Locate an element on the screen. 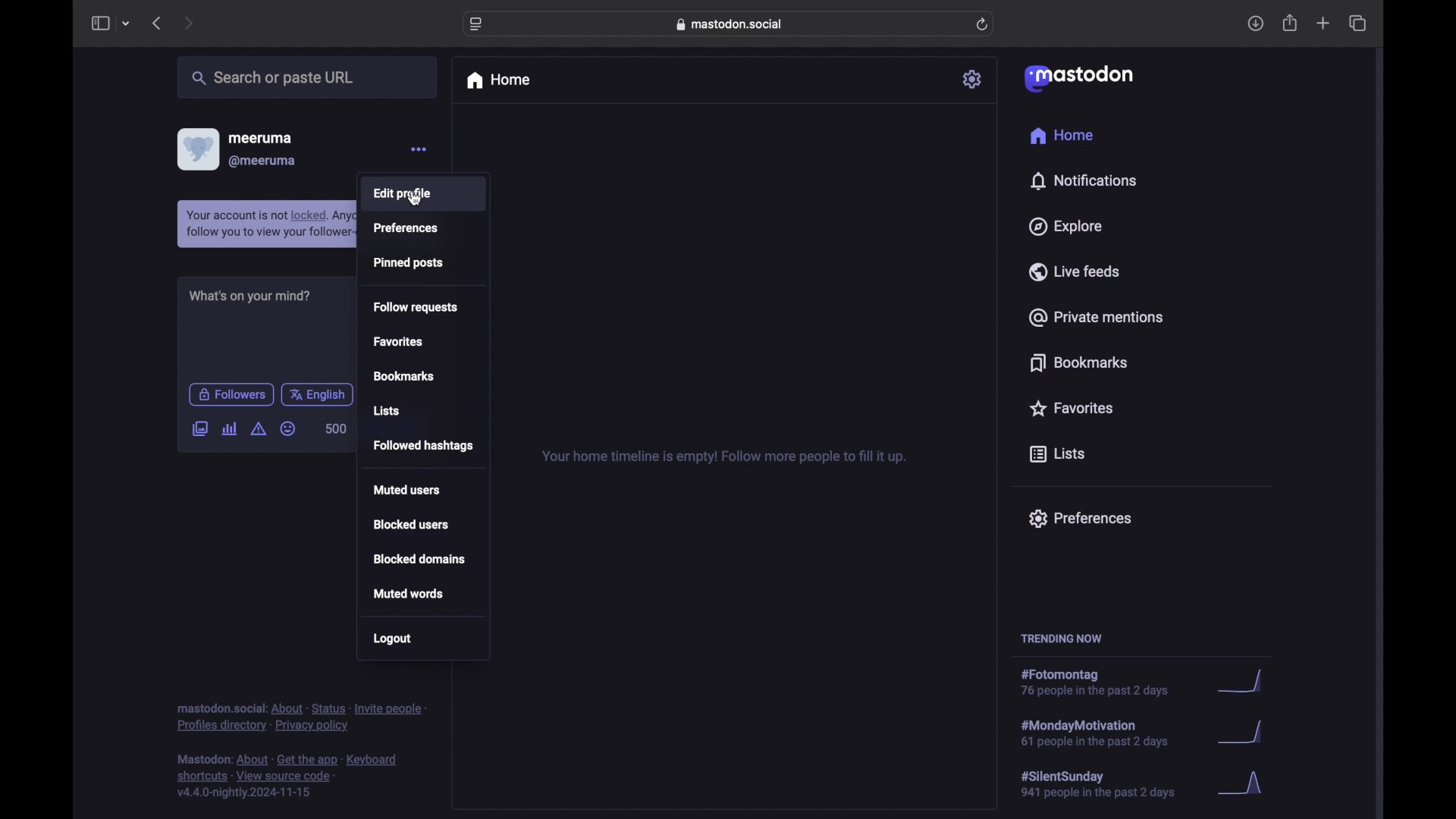 The image size is (1456, 819). share is located at coordinates (1291, 23).